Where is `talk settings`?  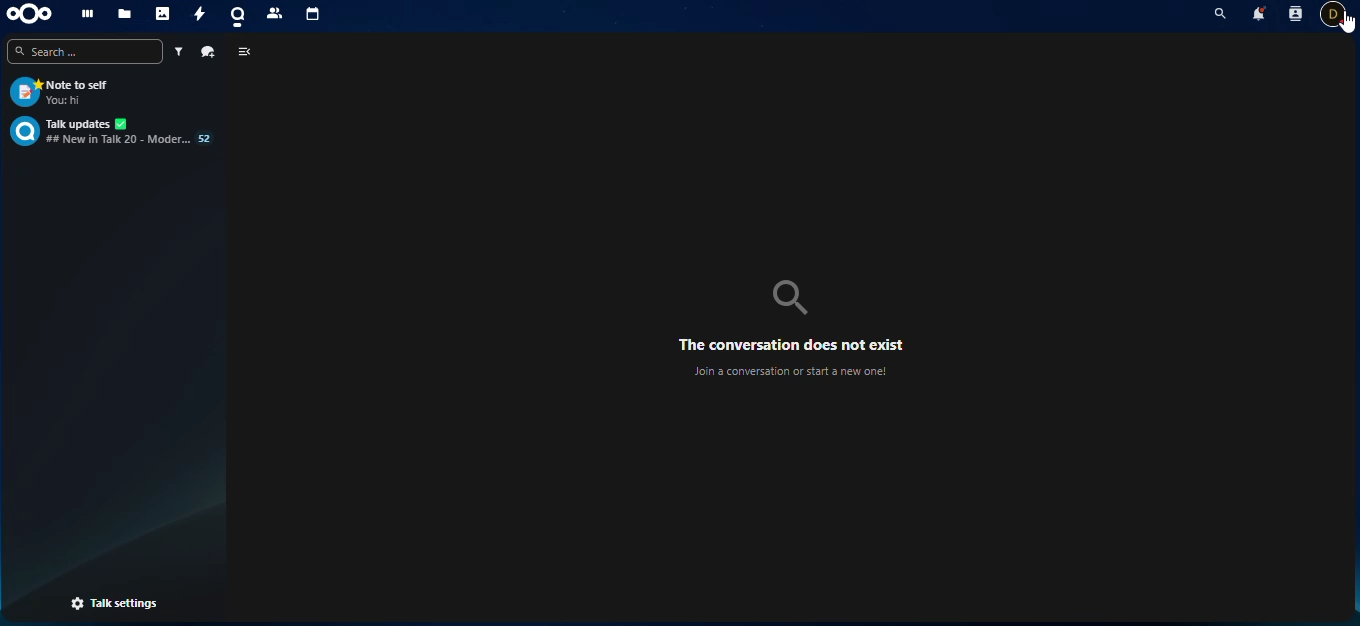
talk settings is located at coordinates (114, 603).